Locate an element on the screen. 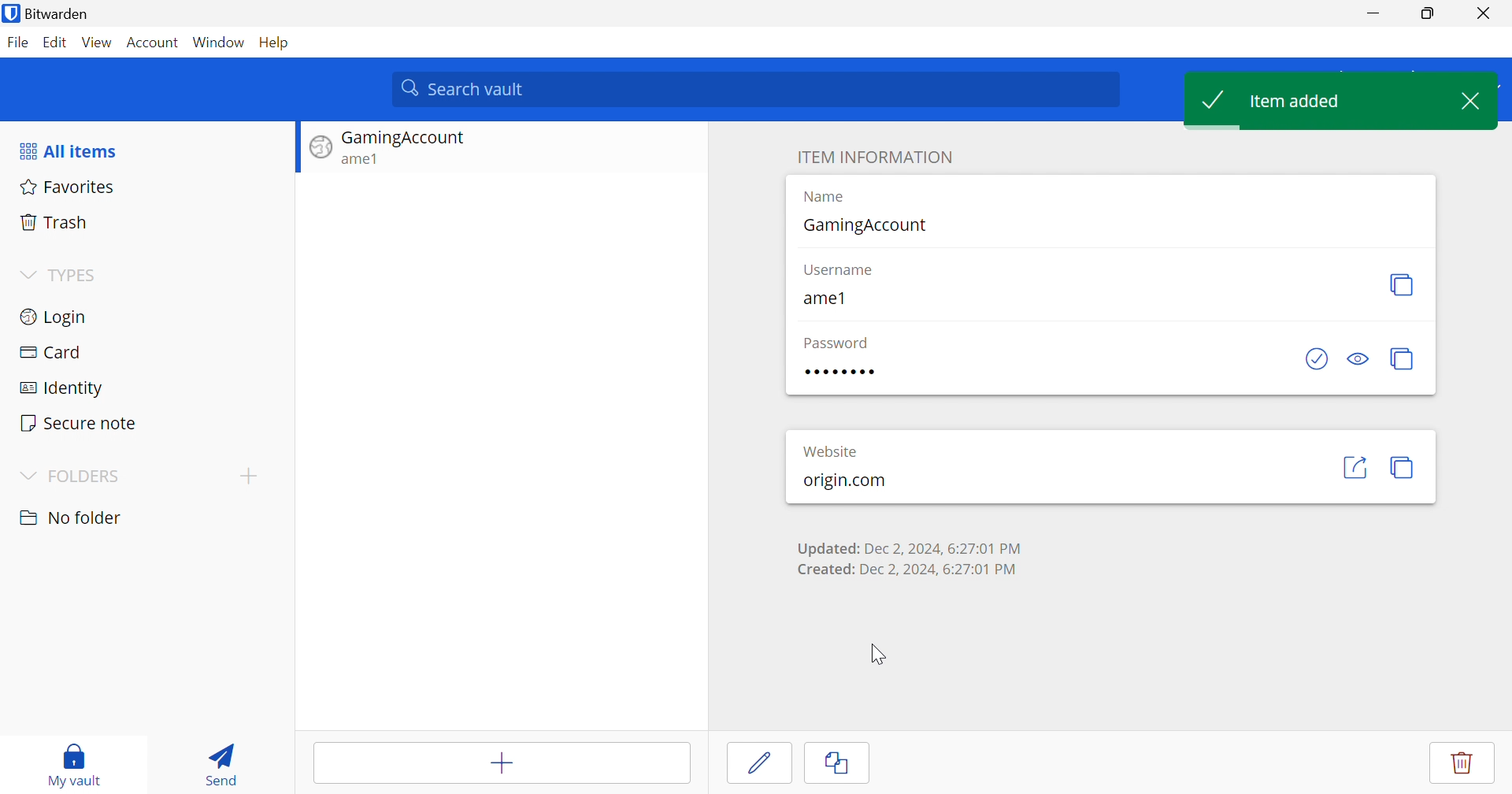 This screenshot has width=1512, height=794. Gaming Account is located at coordinates (405, 135).